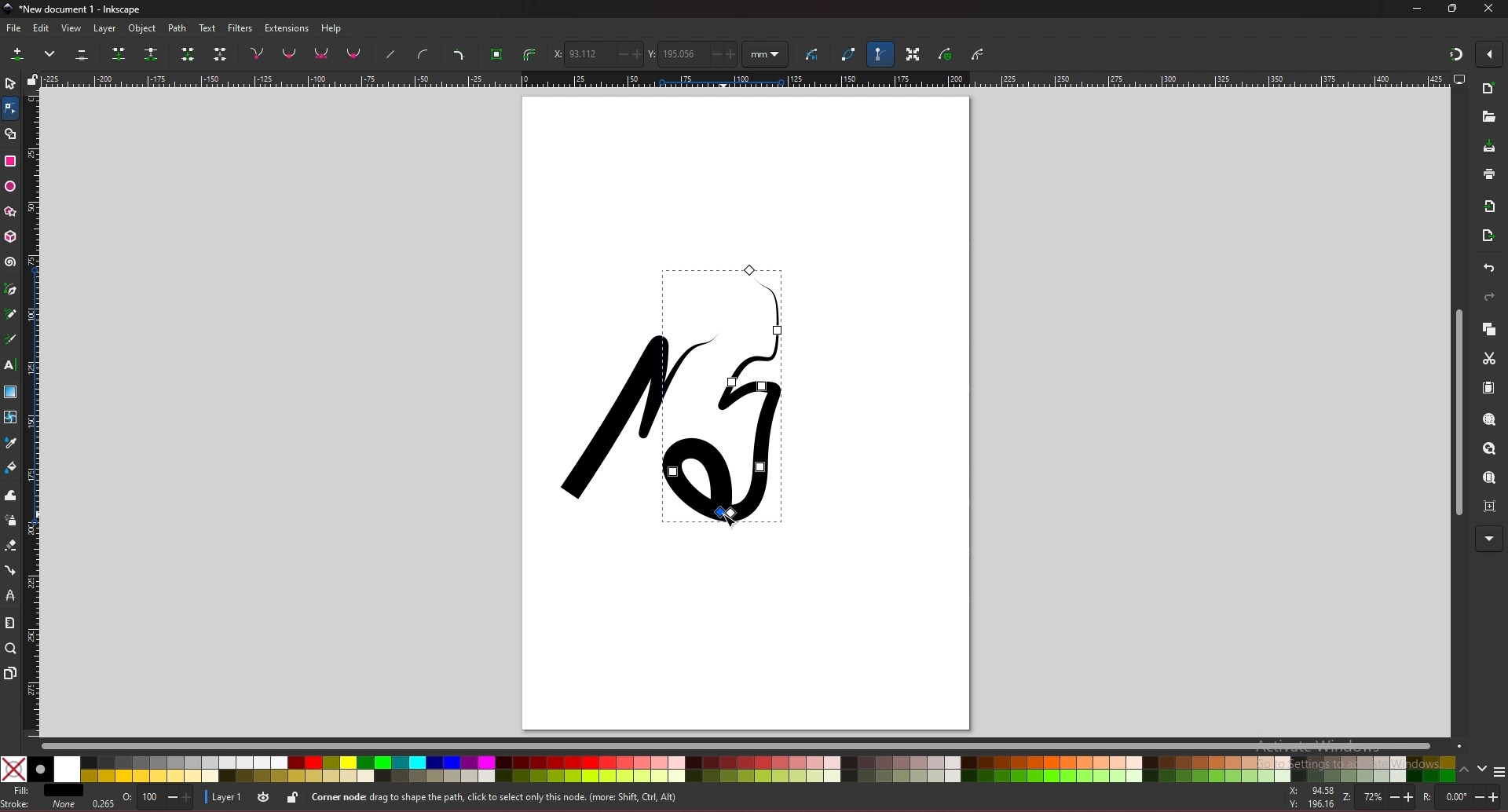 The image size is (1508, 812). What do you see at coordinates (144, 29) in the screenshot?
I see `object` at bounding box center [144, 29].